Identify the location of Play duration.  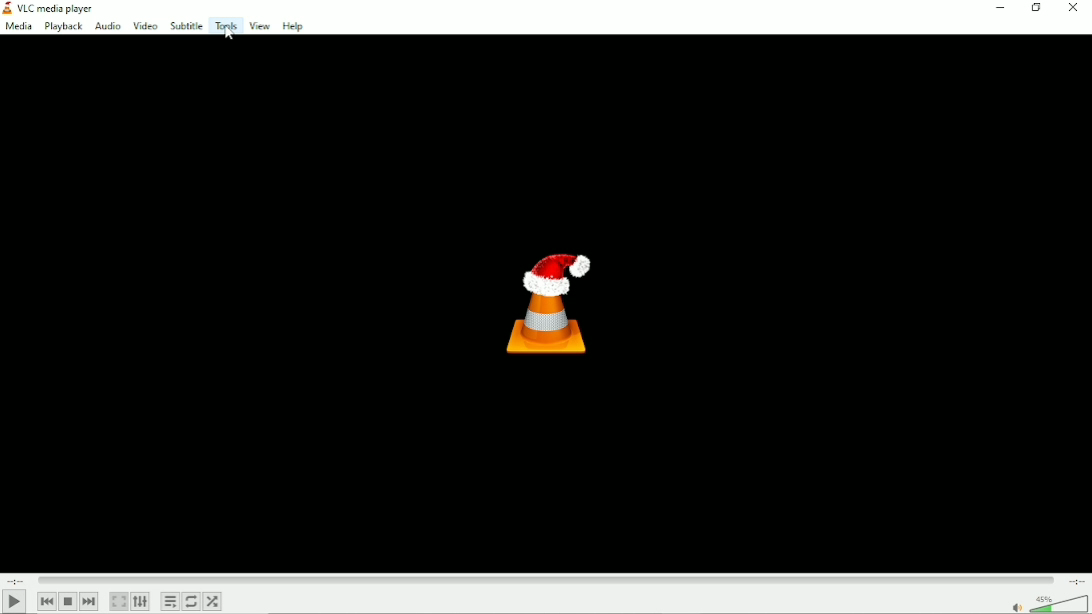
(546, 579).